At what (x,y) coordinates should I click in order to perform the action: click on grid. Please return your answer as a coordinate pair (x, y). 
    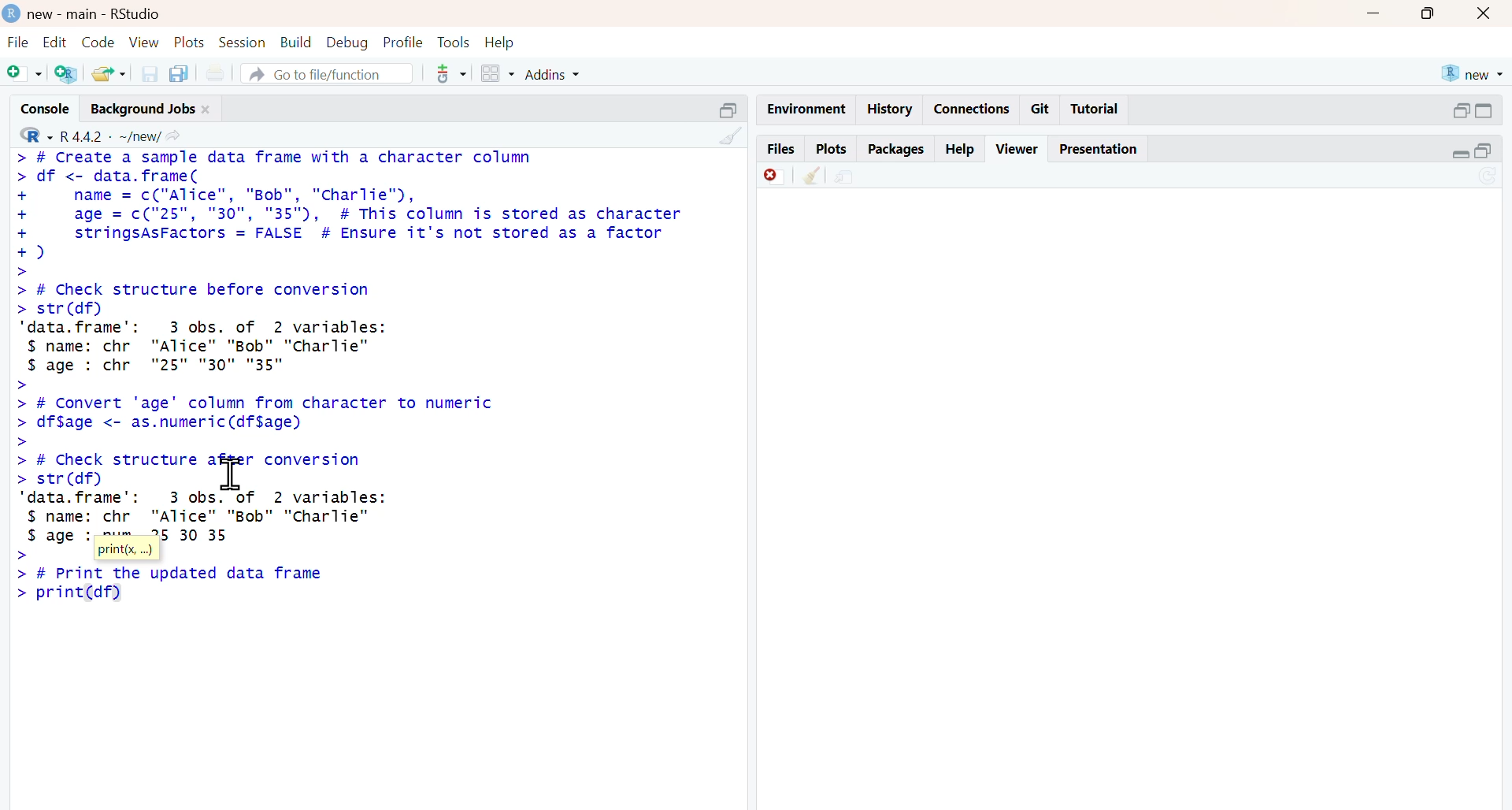
    Looking at the image, I should click on (499, 73).